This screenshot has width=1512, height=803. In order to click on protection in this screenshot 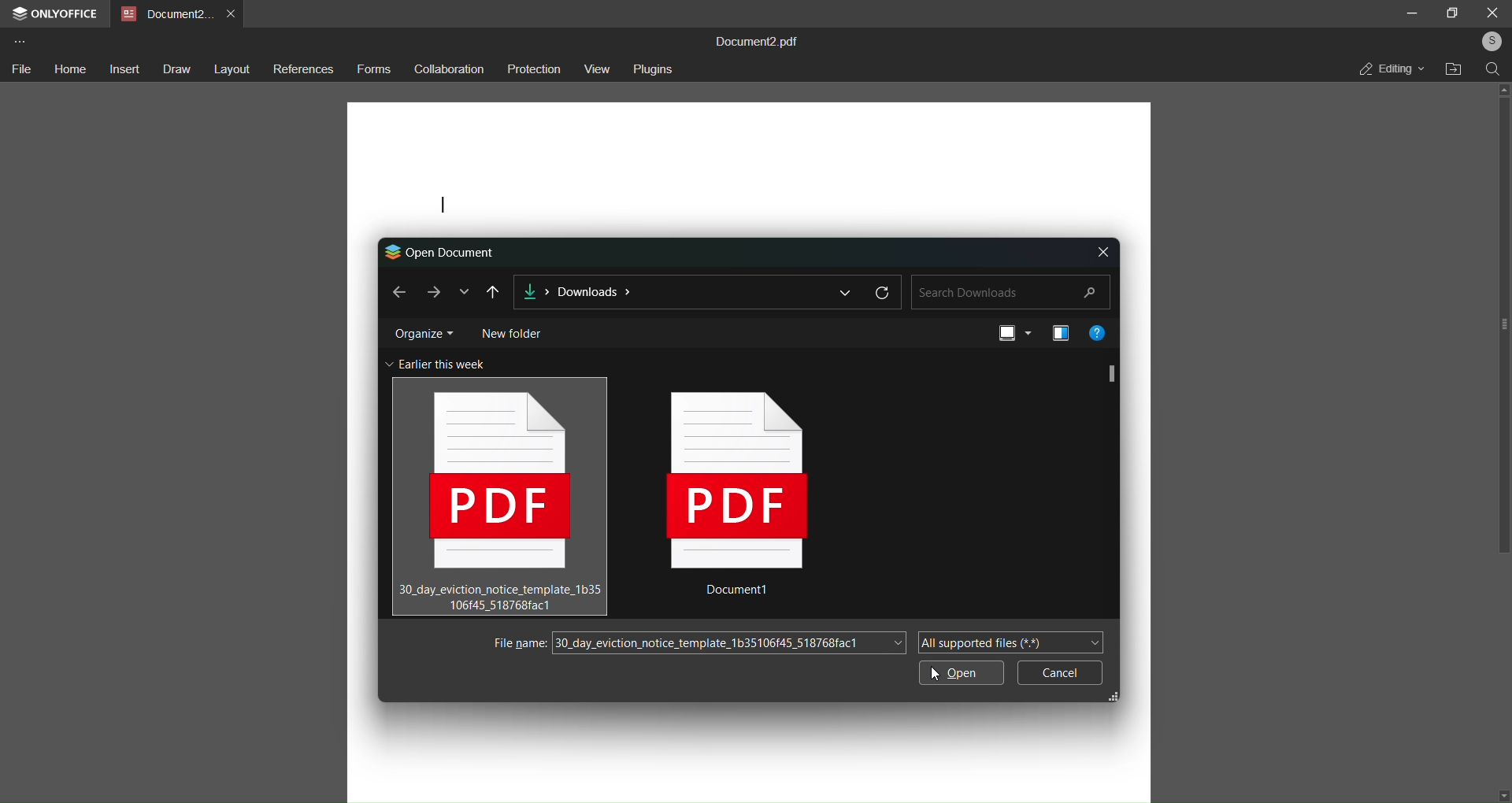, I will do `click(532, 69)`.